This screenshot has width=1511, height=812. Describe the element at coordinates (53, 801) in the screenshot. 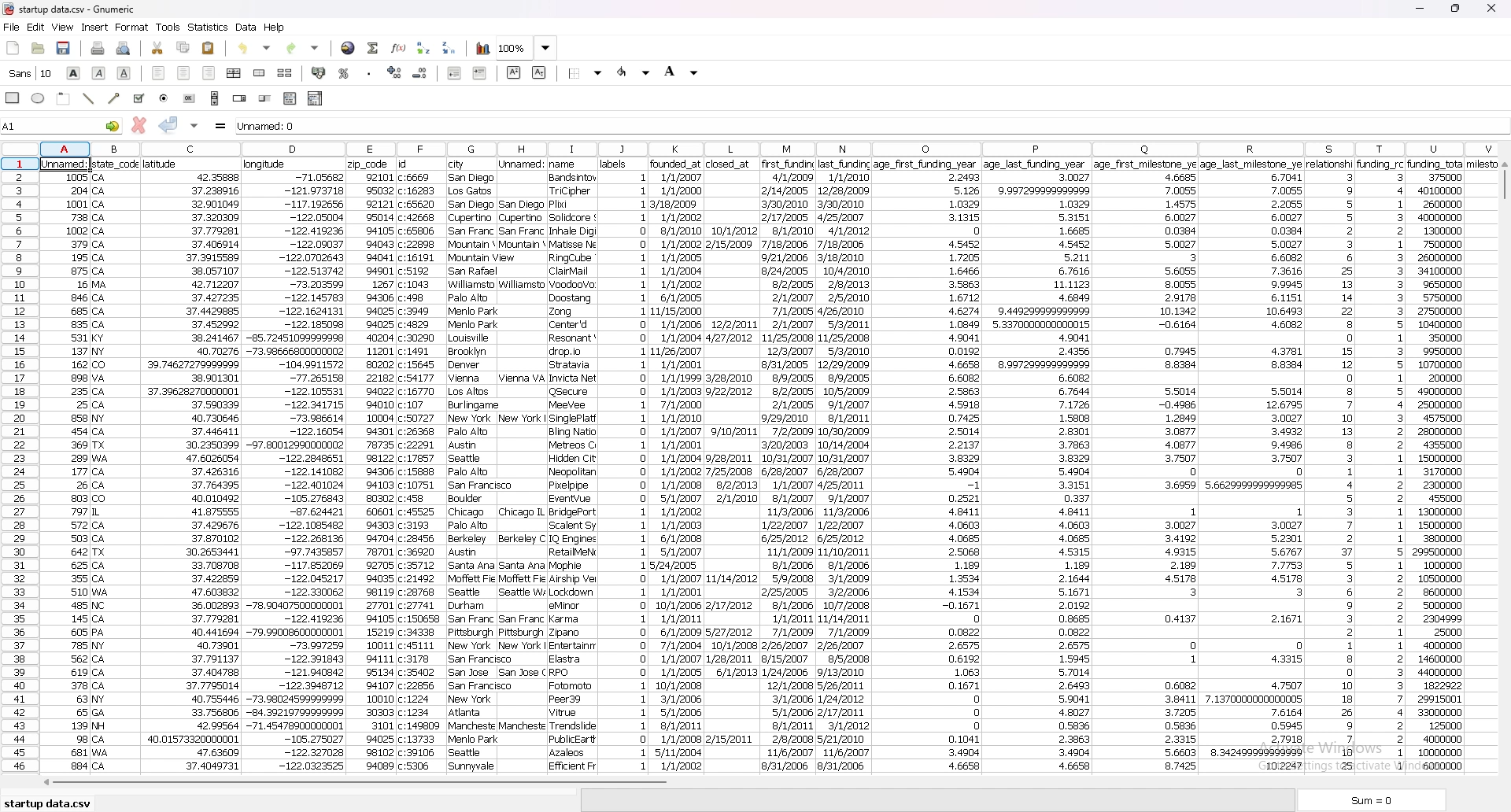

I see `startup. data.csv` at that location.